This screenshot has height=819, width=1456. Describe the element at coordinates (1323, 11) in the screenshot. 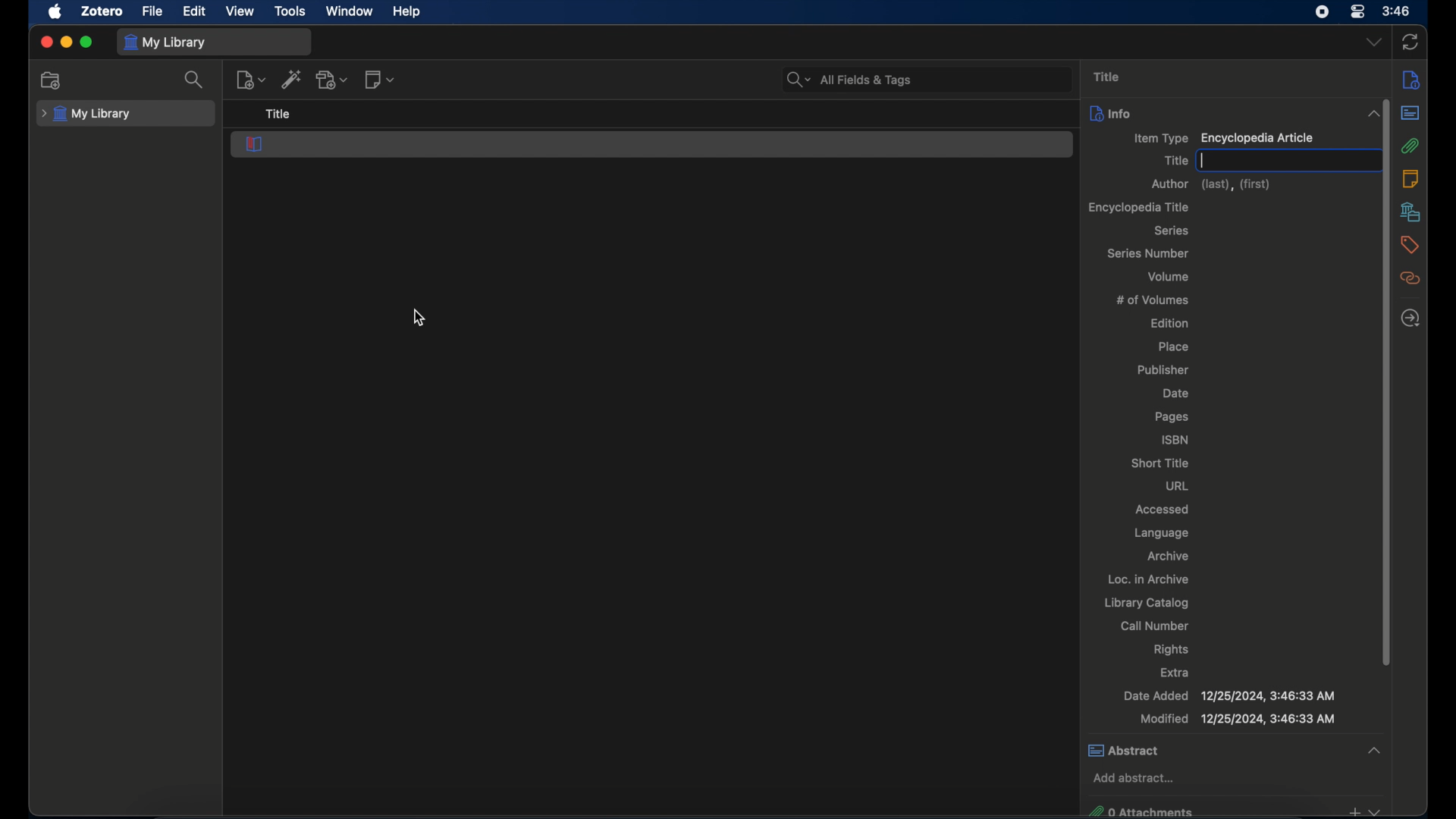

I see `screen recorder` at that location.